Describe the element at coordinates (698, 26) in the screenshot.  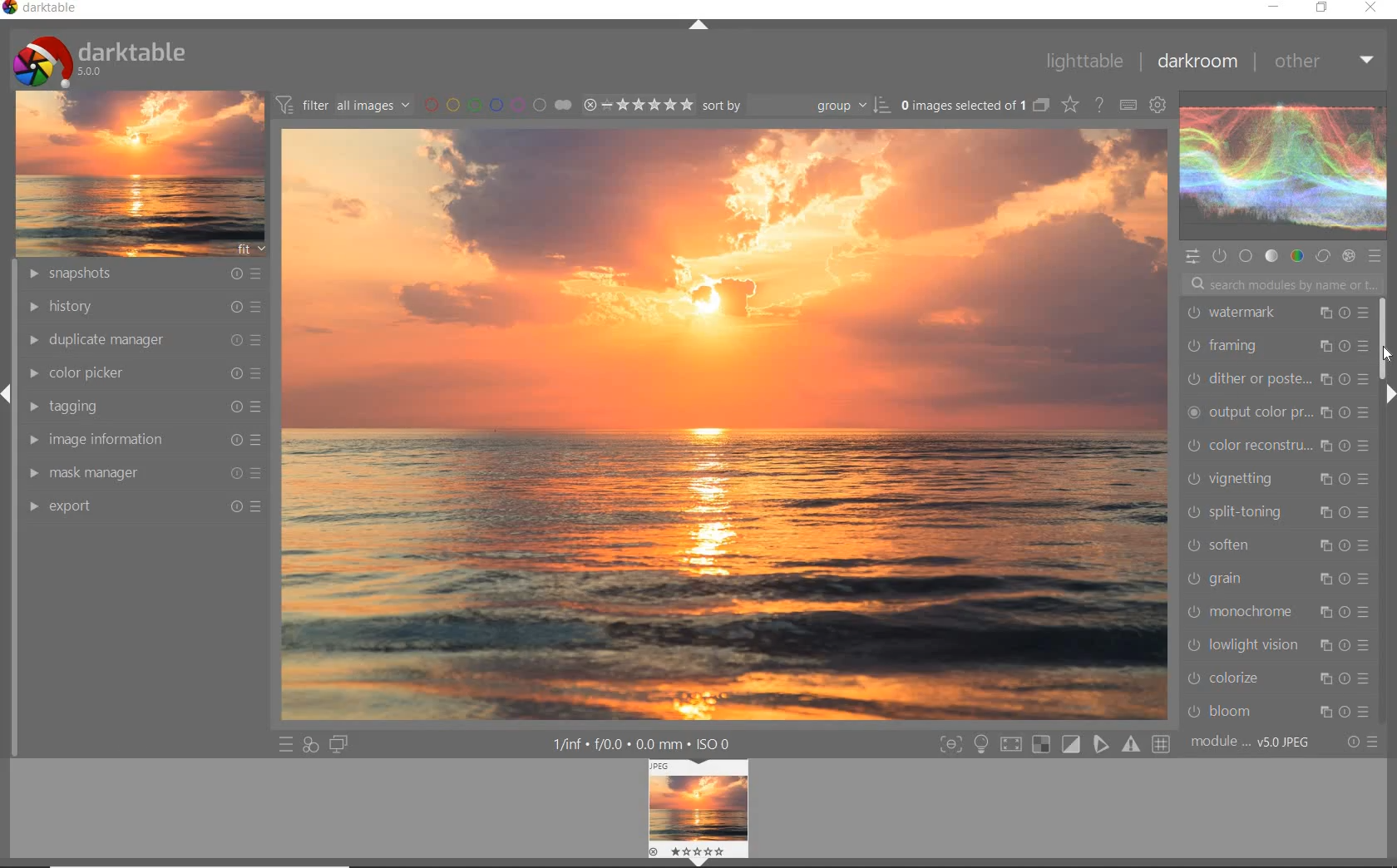
I see `EXPAND/COLLAPSE` at that location.